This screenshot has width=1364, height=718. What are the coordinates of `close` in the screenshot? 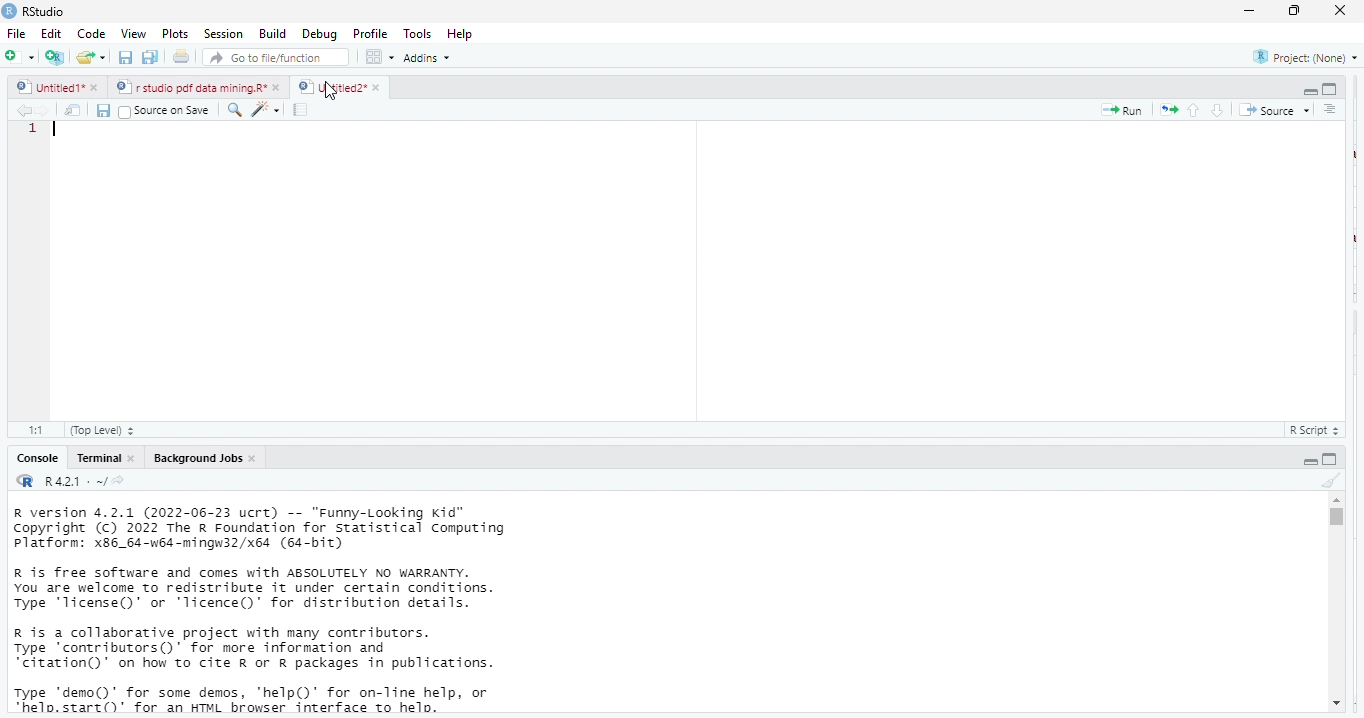 It's located at (278, 88).